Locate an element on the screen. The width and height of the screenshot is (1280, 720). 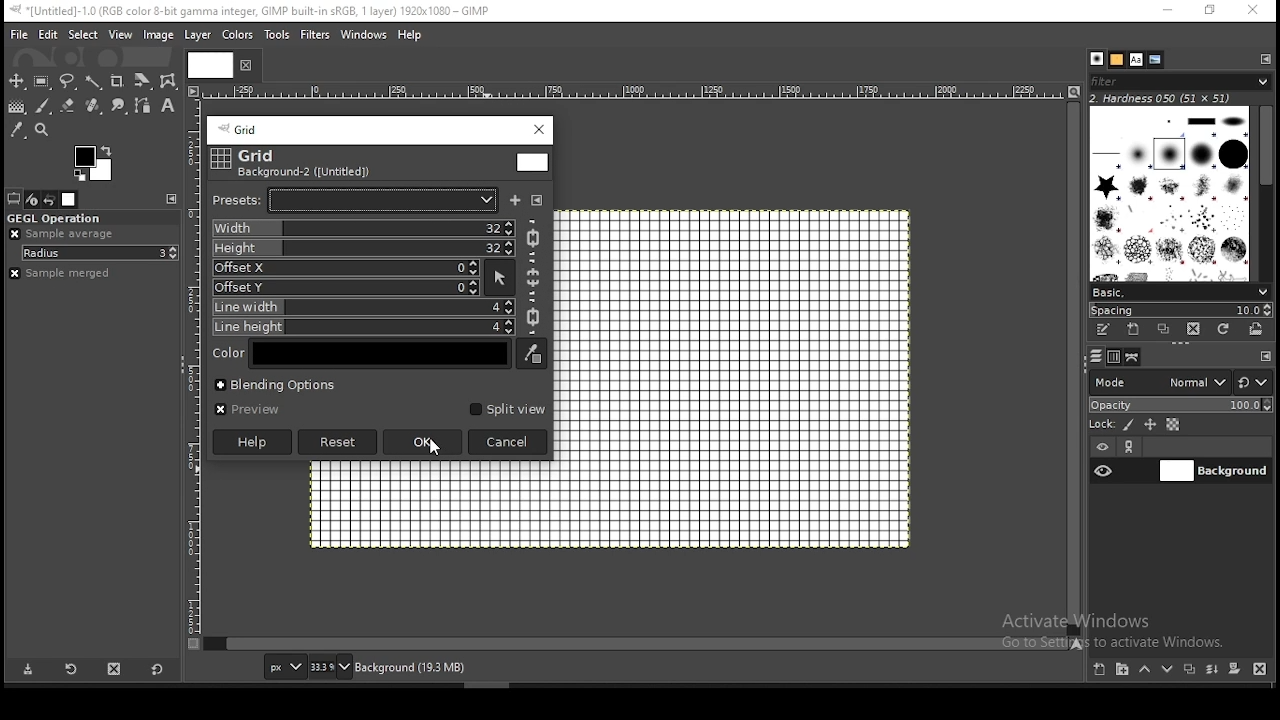
opacity is located at coordinates (1183, 405).